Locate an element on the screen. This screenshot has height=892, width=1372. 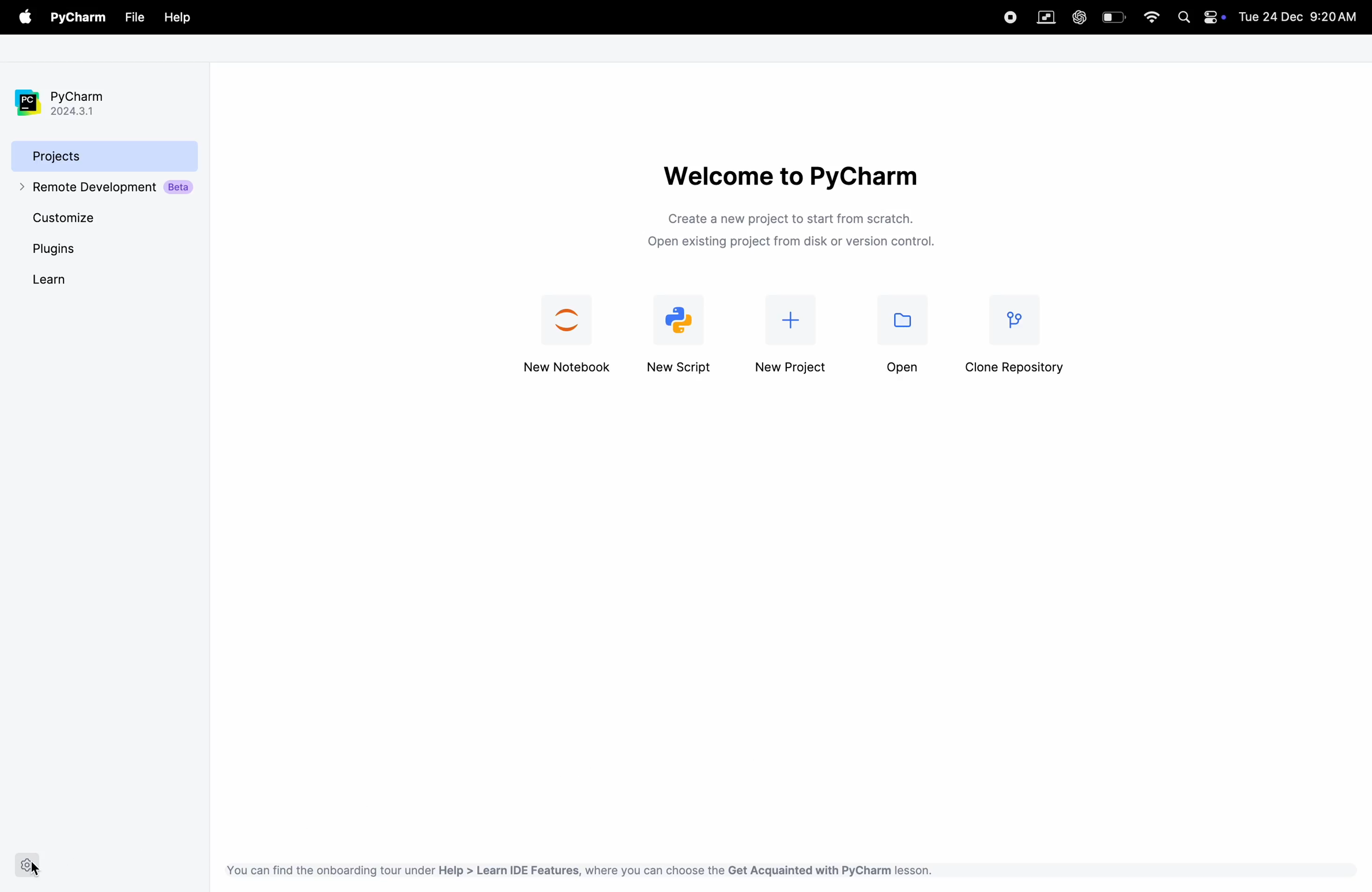
battery is located at coordinates (1114, 17).